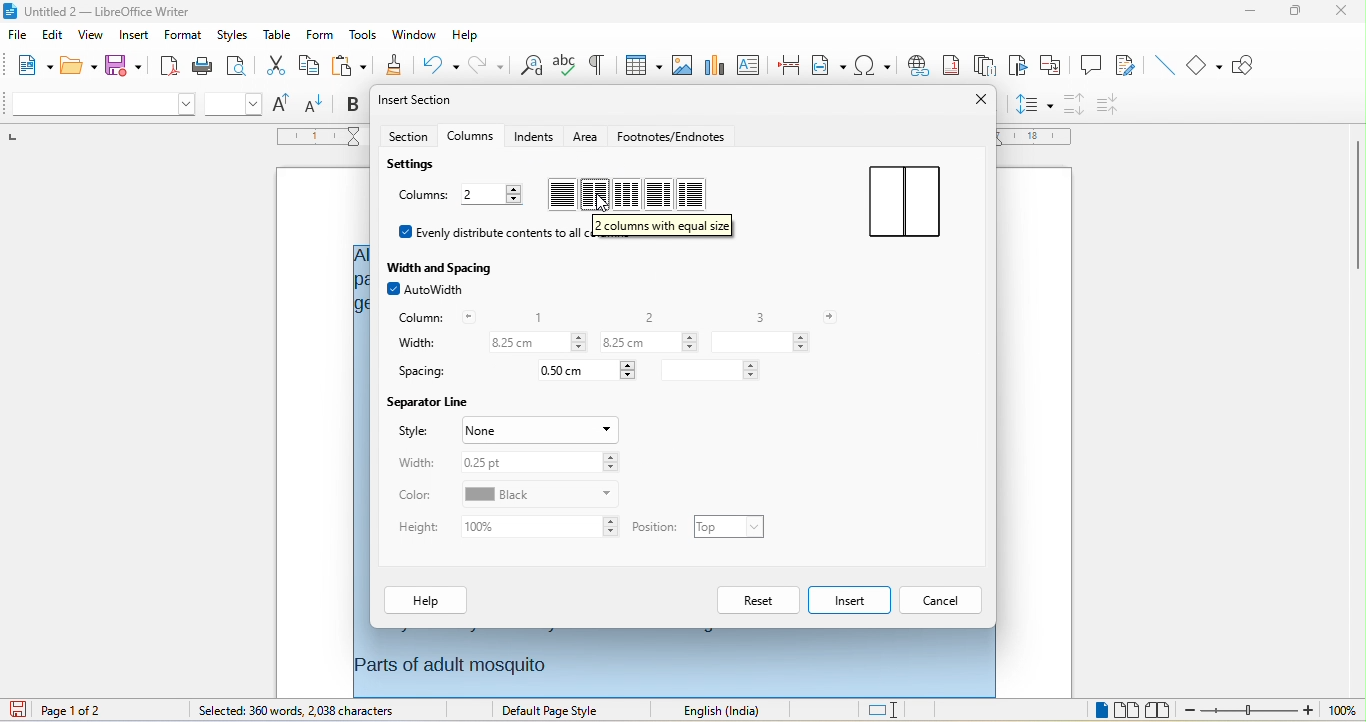 This screenshot has width=1366, height=722. I want to click on toggle formatting marks, so click(597, 63).